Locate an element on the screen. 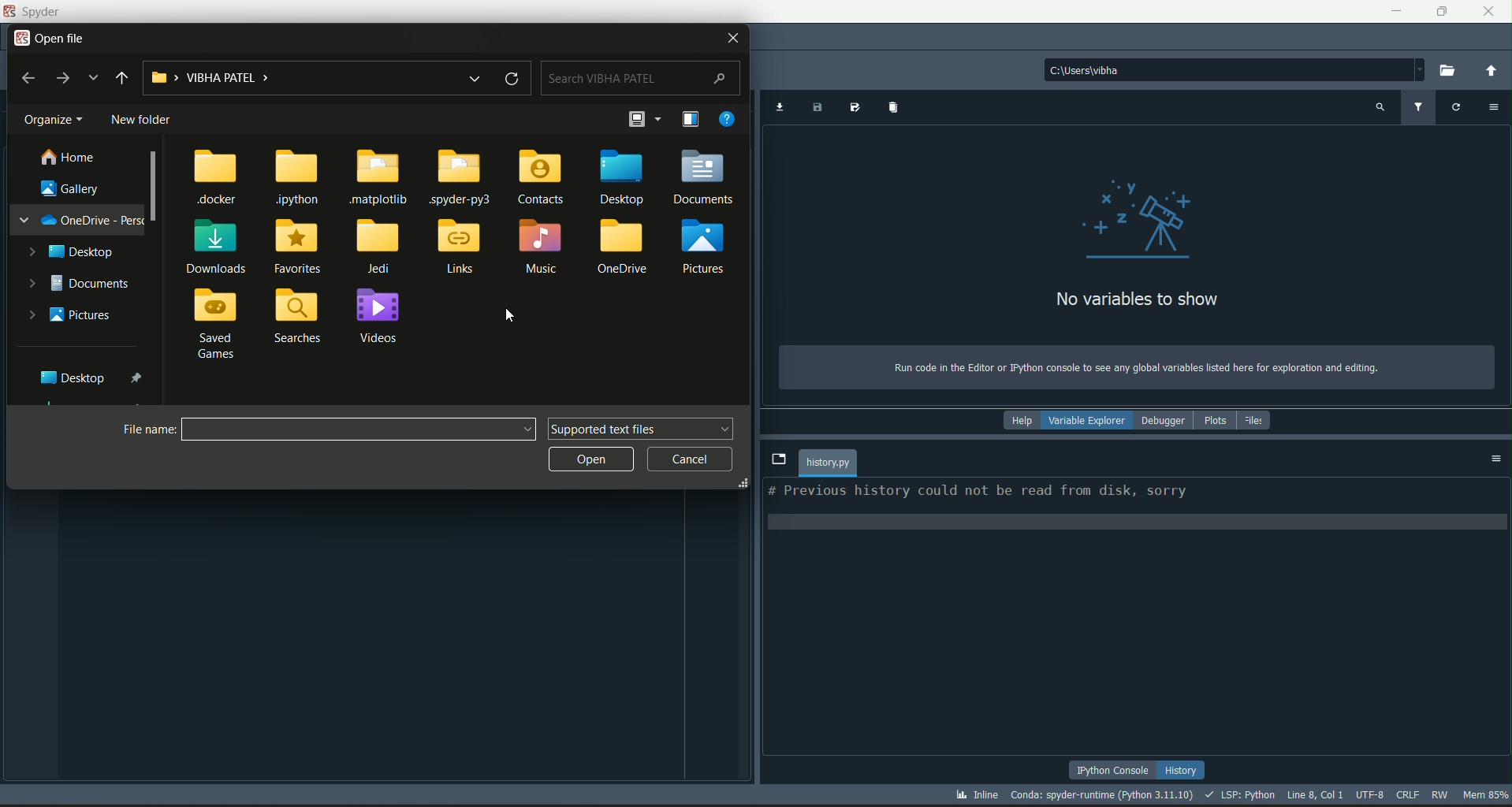 This screenshot has width=1512, height=807. music is located at coordinates (542, 247).